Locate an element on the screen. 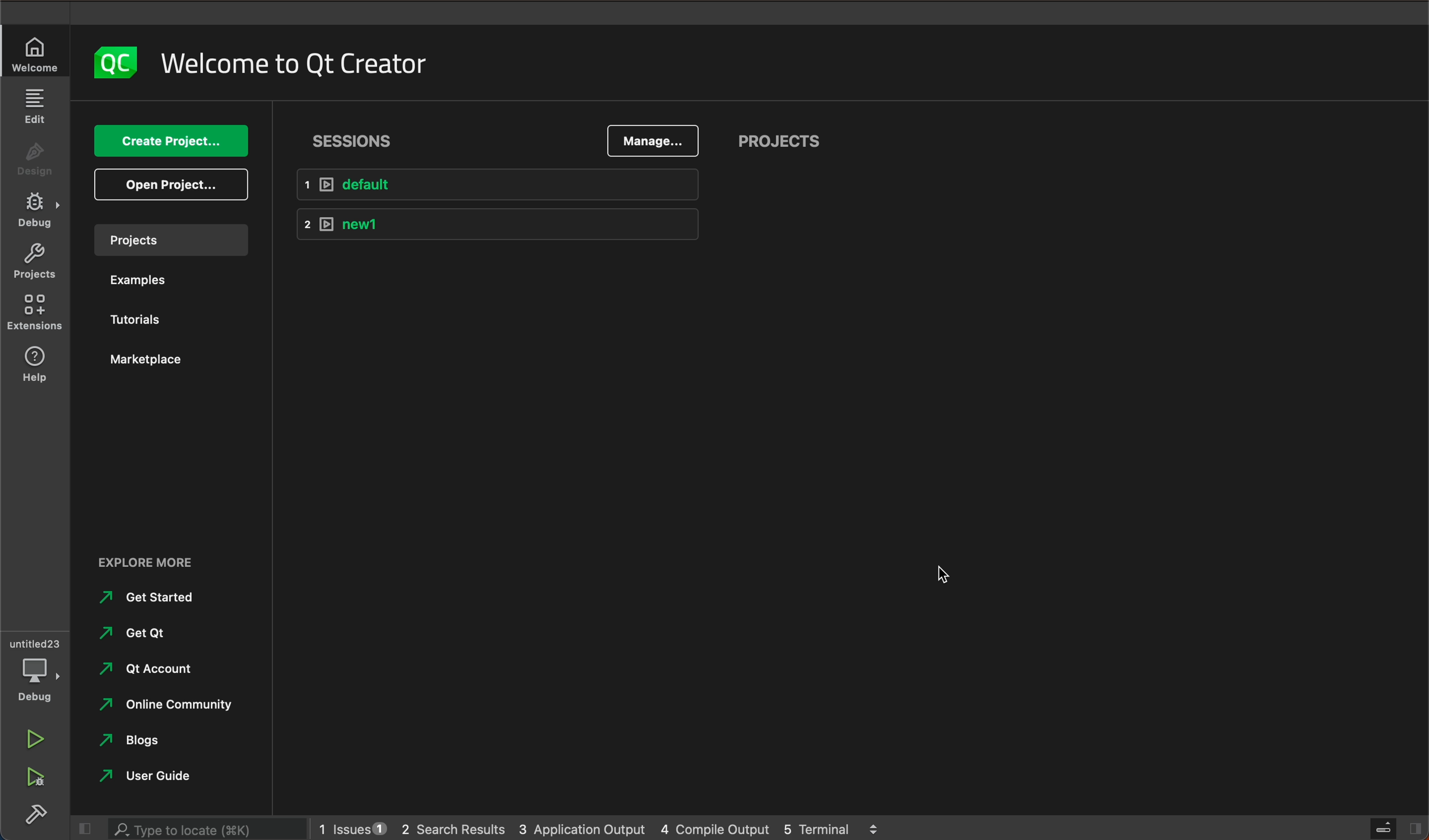 Image resolution: width=1429 pixels, height=840 pixels. issues is located at coordinates (350, 826).